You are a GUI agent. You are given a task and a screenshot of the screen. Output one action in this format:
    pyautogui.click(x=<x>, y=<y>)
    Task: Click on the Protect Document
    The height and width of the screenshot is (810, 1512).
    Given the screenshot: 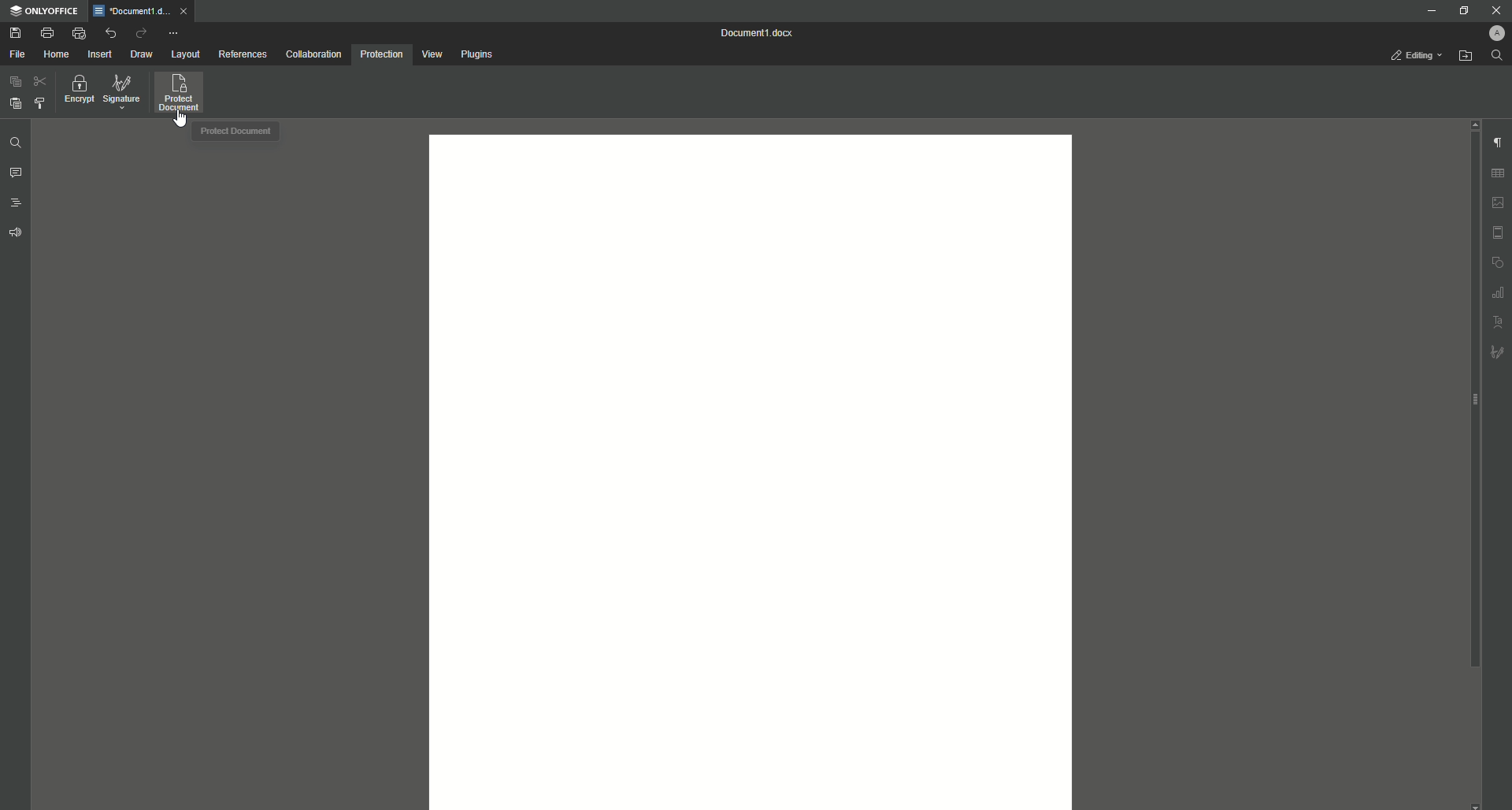 What is the action you would take?
    pyautogui.click(x=183, y=92)
    